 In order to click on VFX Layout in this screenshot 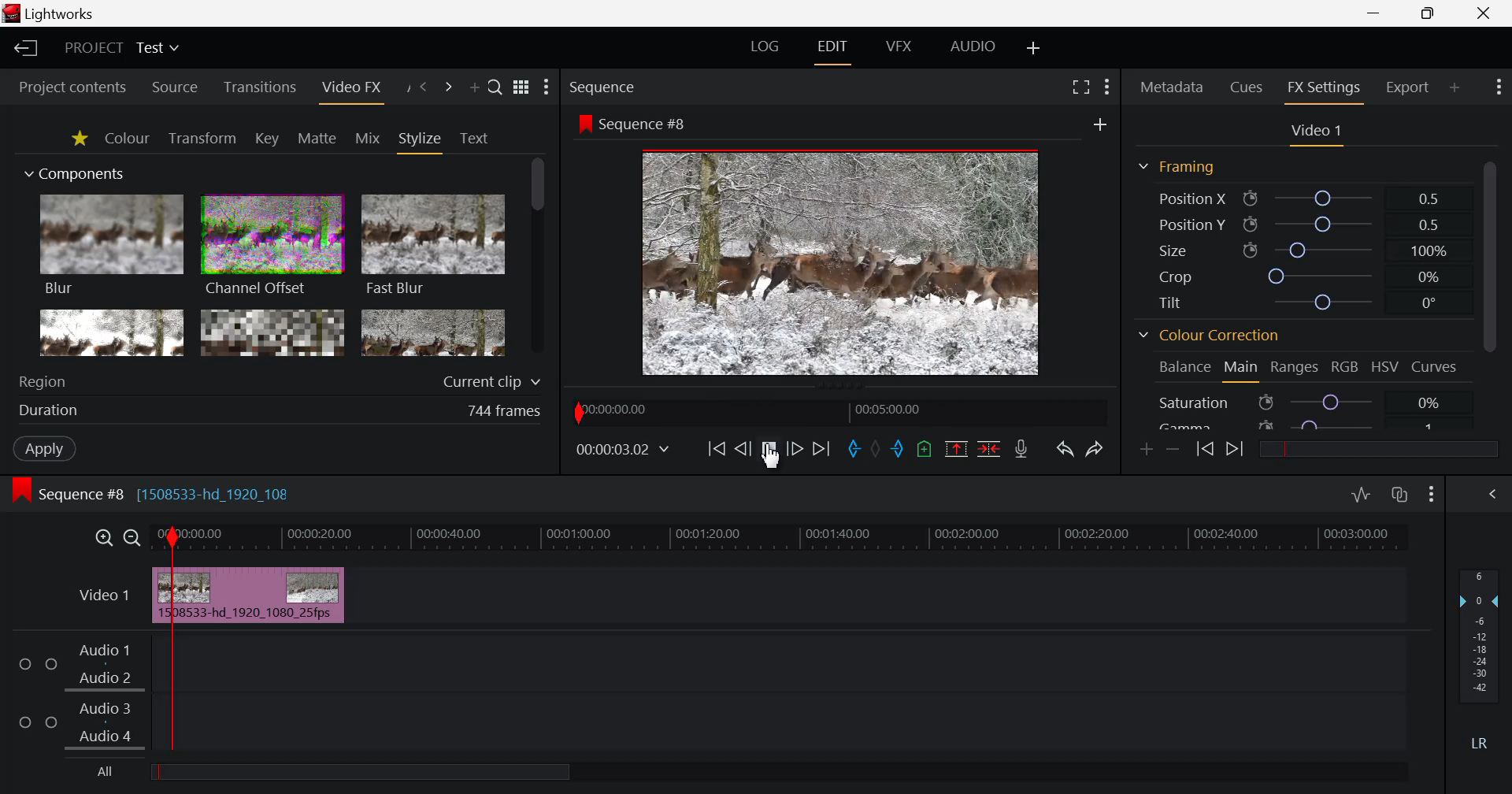, I will do `click(898, 47)`.